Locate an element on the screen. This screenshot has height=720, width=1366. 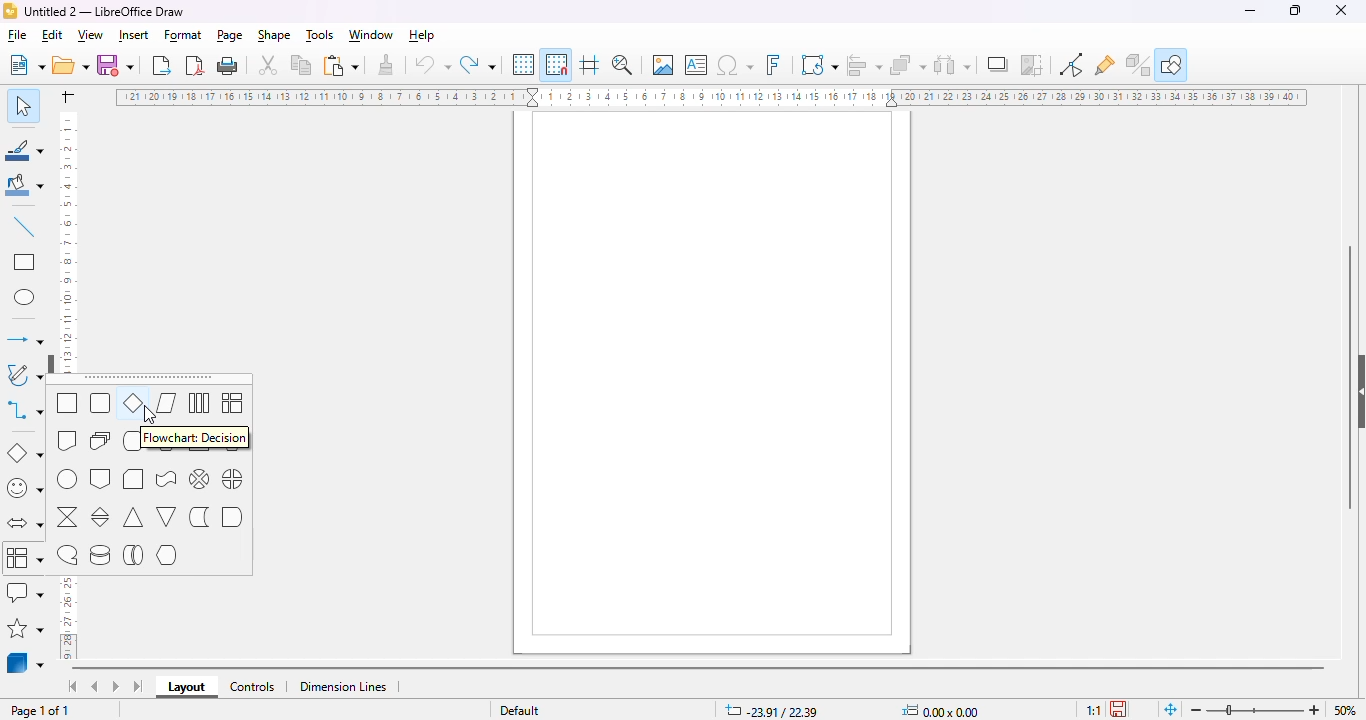
zoom out is located at coordinates (1197, 710).